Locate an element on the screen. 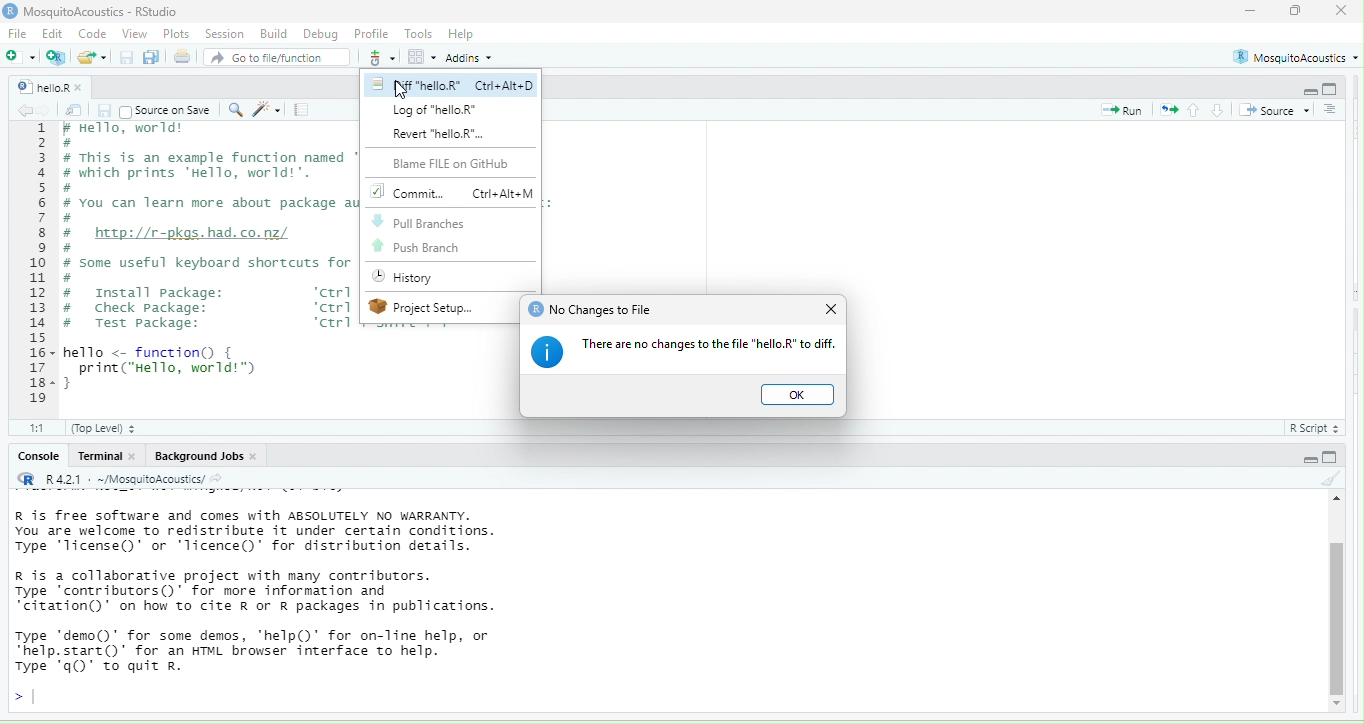  info logo is located at coordinates (546, 352).